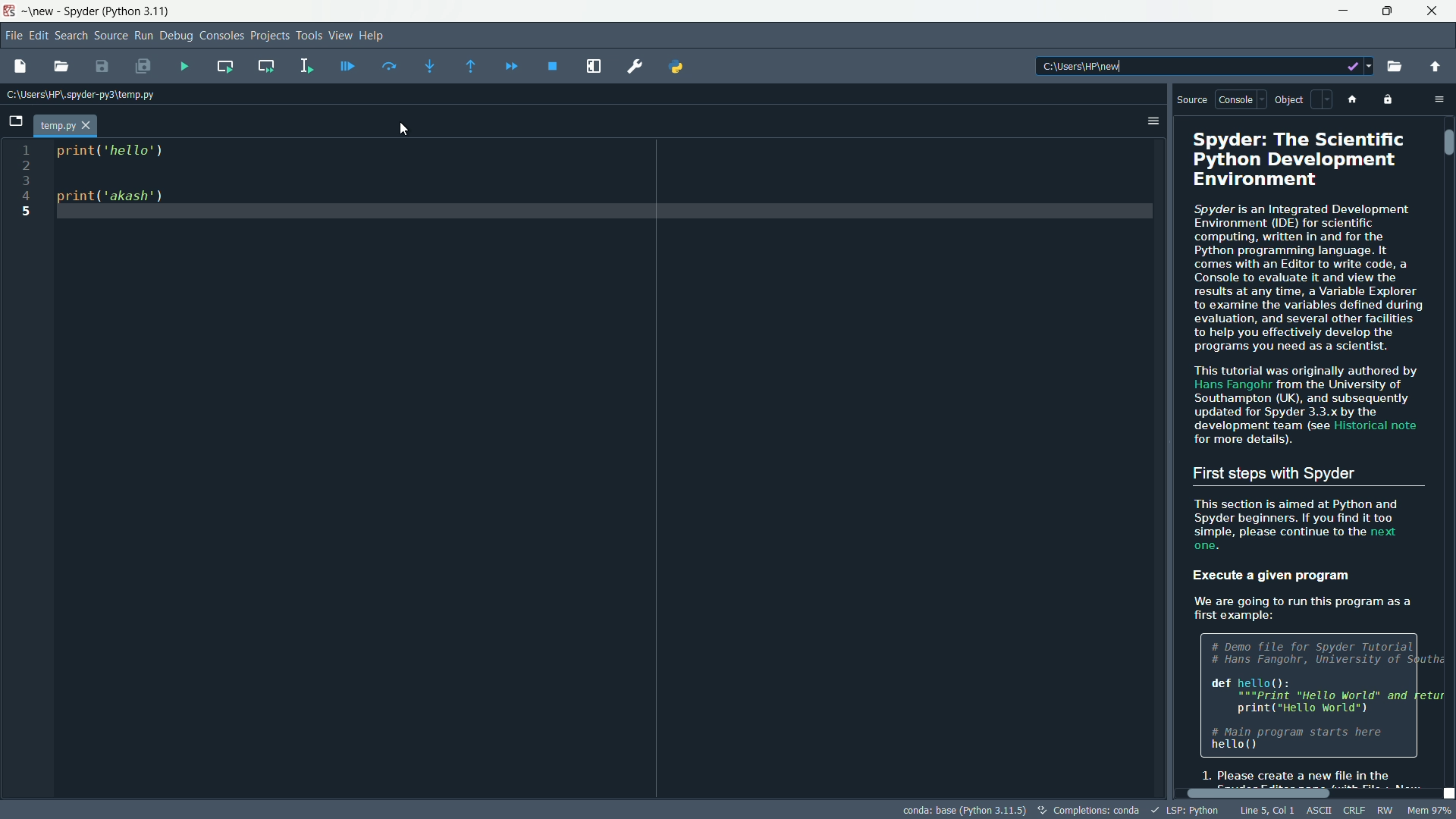 This screenshot has width=1456, height=819. Describe the element at coordinates (1398, 66) in the screenshot. I see `browse a working directory` at that location.